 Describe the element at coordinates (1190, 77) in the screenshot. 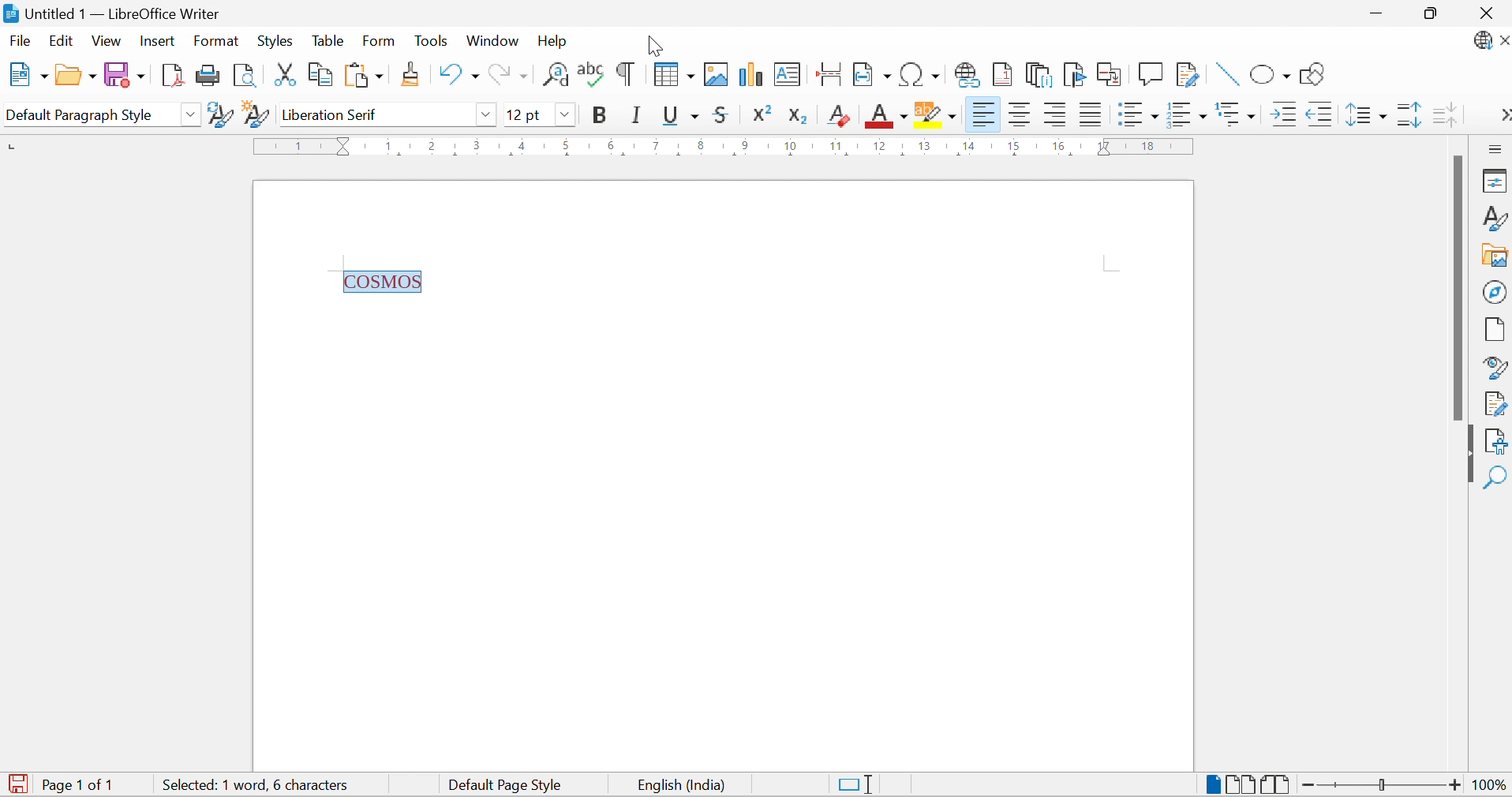

I see `Show Track Changes Functions` at that location.